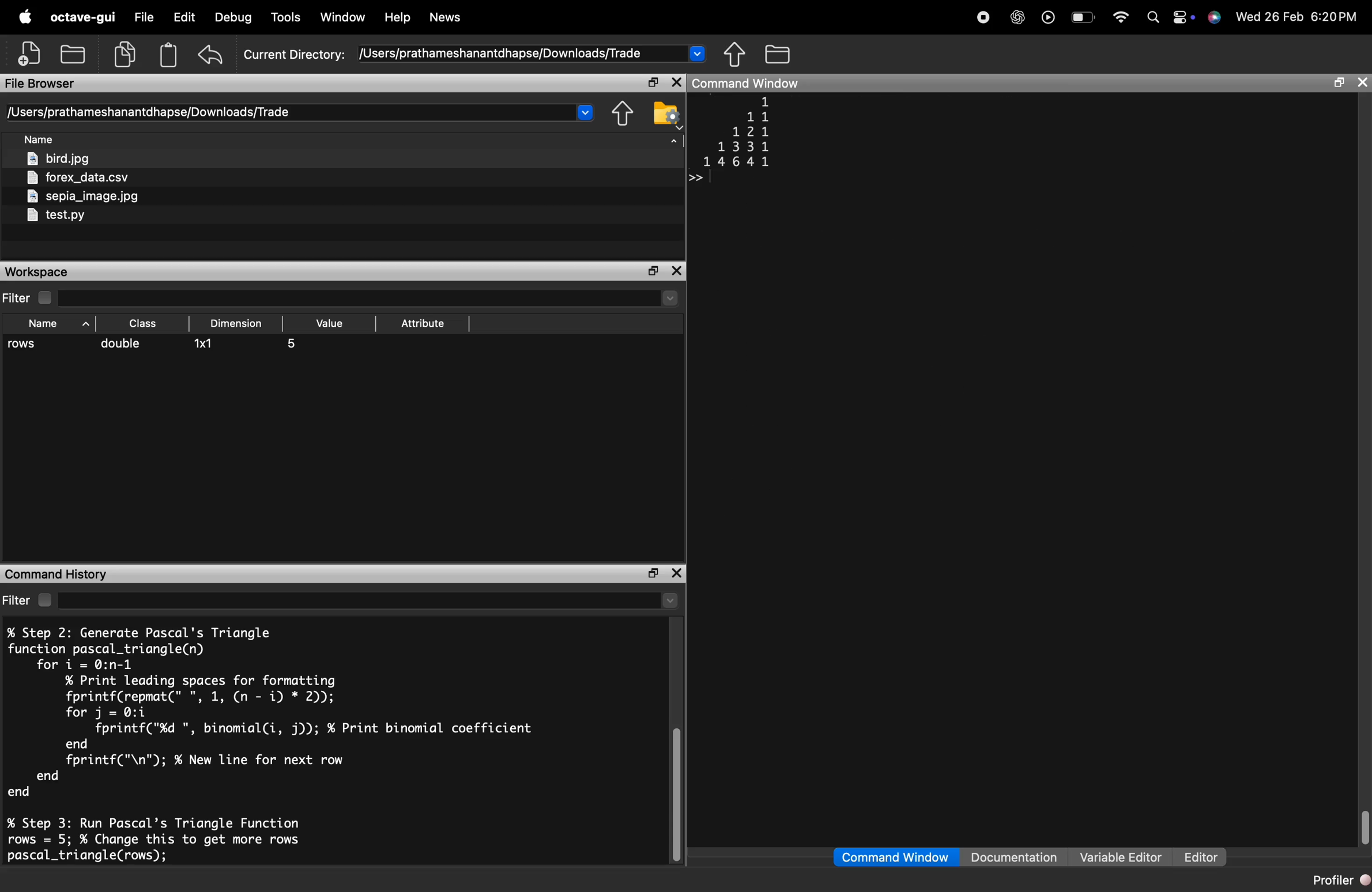 The image size is (1372, 892). Describe the element at coordinates (446, 17) in the screenshot. I see `News` at that location.